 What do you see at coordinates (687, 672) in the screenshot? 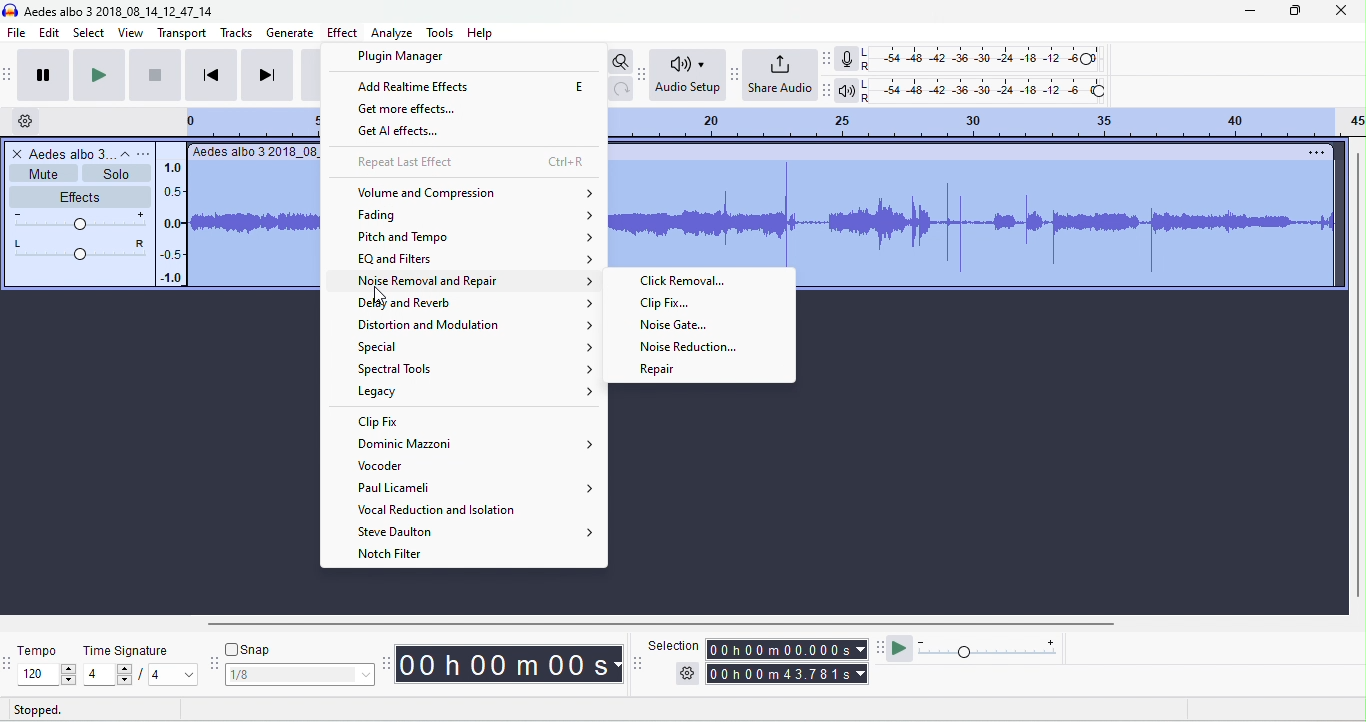
I see `selection options` at bounding box center [687, 672].